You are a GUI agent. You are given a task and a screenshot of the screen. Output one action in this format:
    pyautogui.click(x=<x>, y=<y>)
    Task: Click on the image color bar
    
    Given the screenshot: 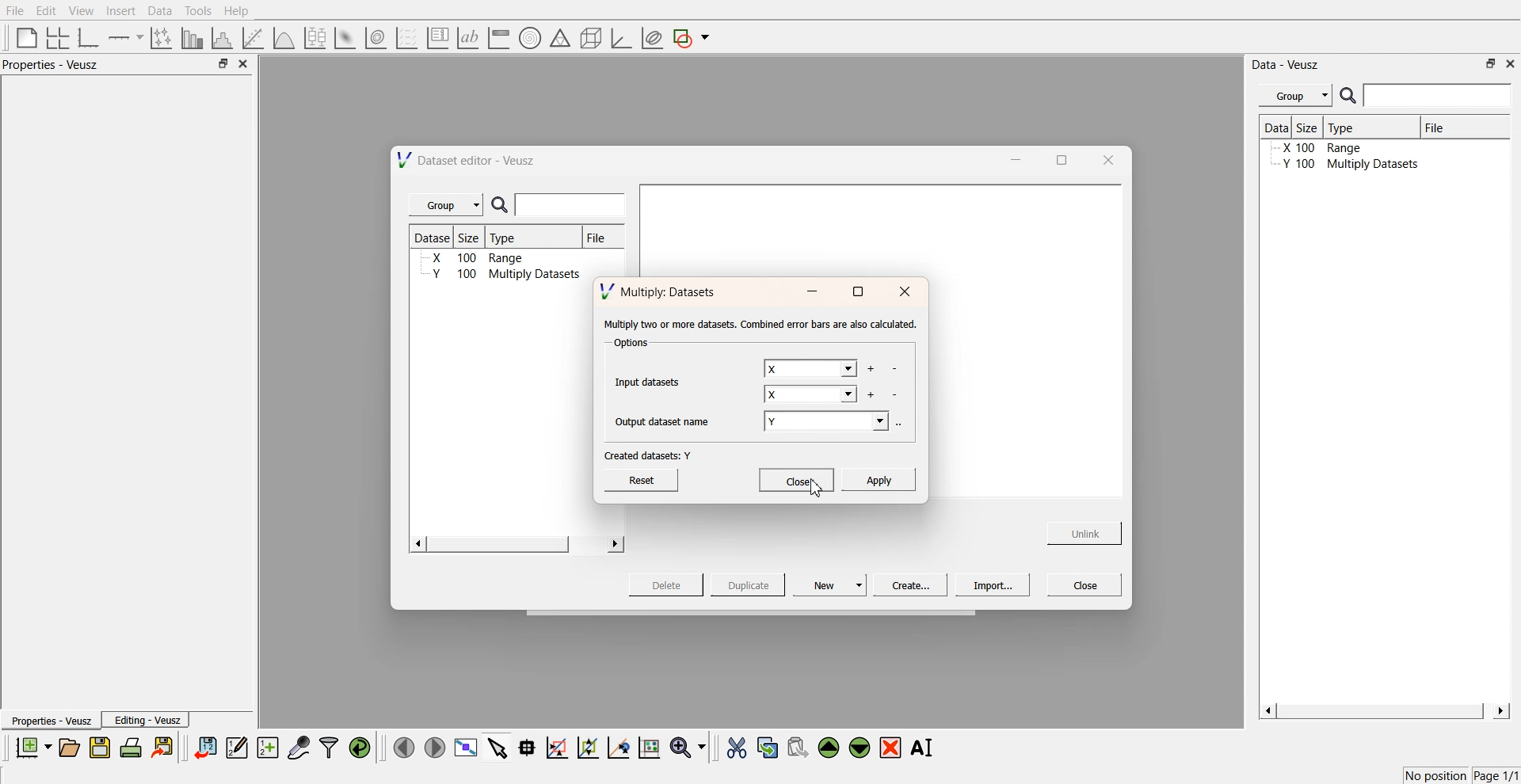 What is the action you would take?
    pyautogui.click(x=498, y=39)
    